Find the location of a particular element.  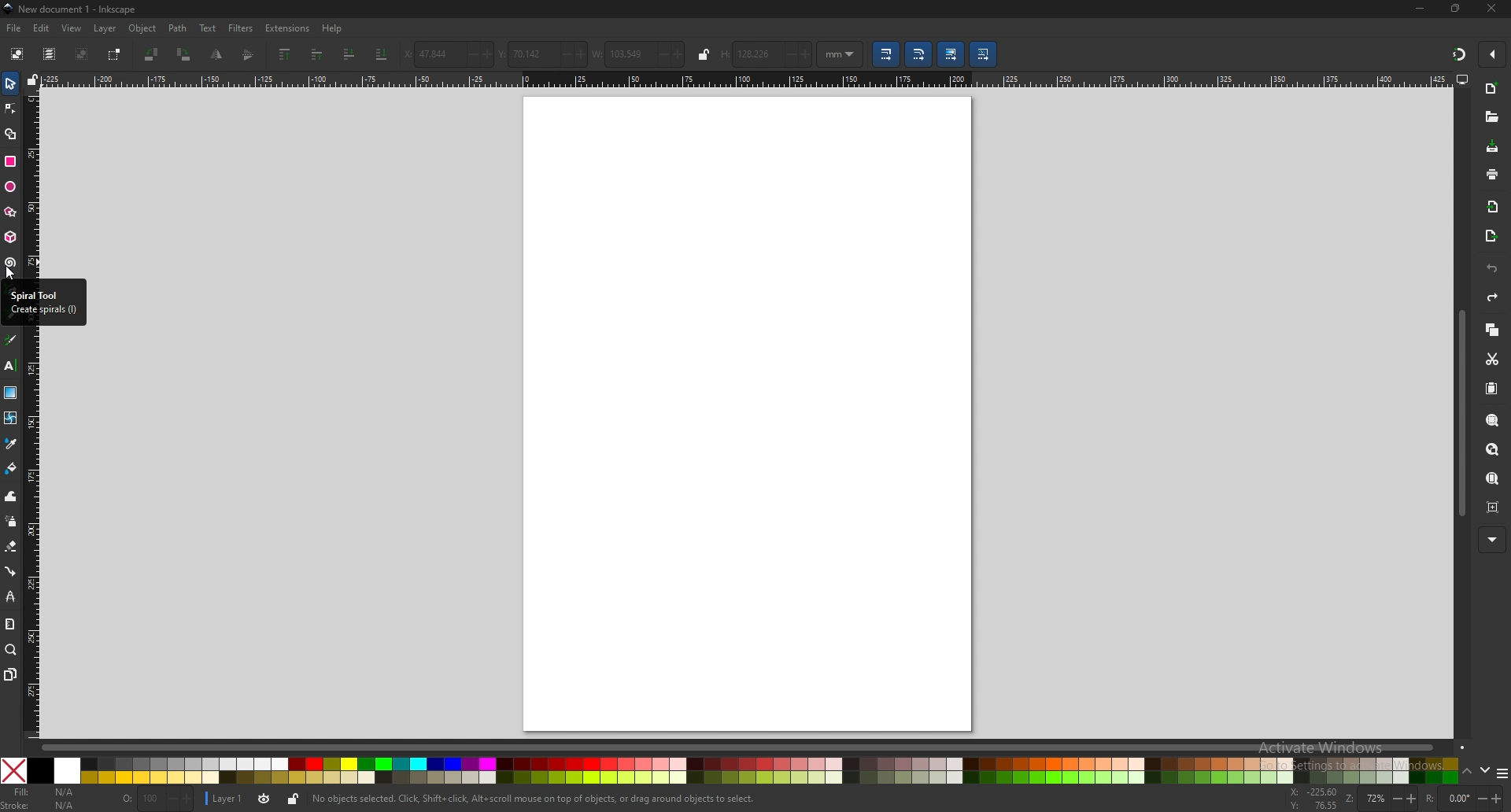

more colors is located at coordinates (1499, 772).